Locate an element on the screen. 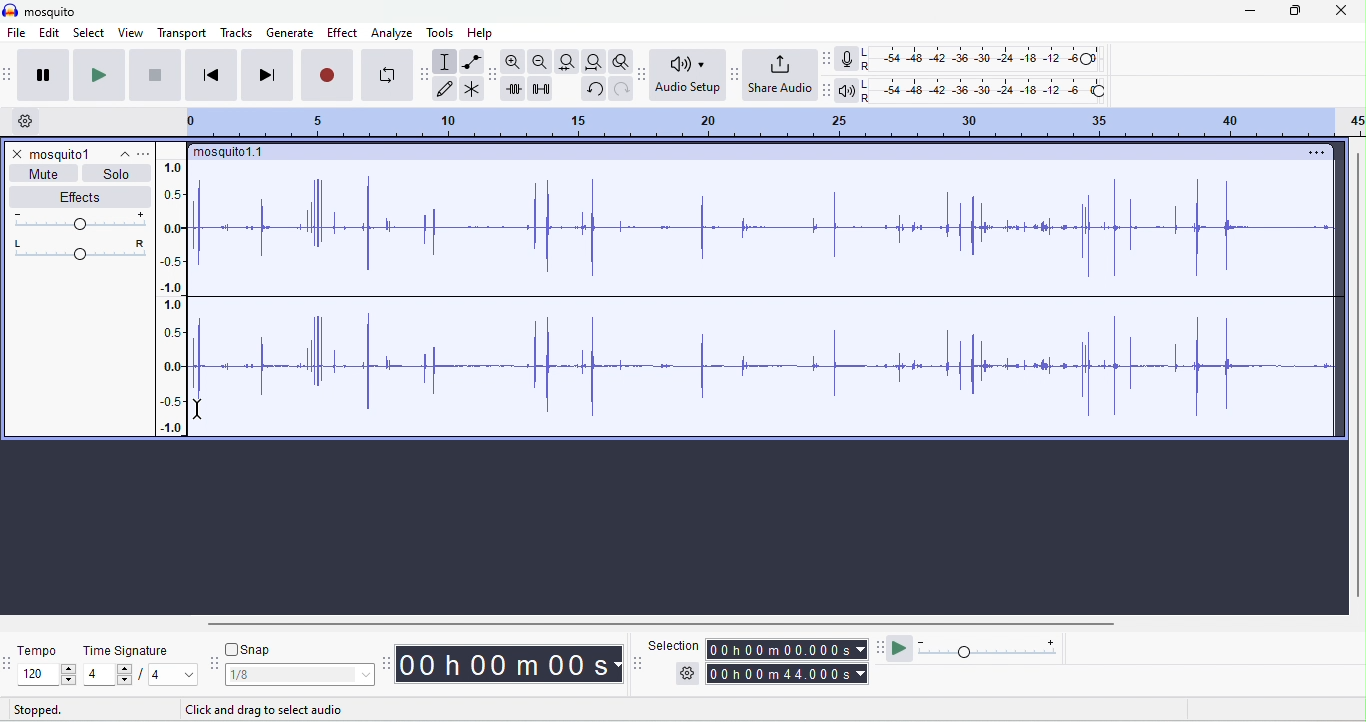 The image size is (1366, 722). record meter is located at coordinates (848, 58).